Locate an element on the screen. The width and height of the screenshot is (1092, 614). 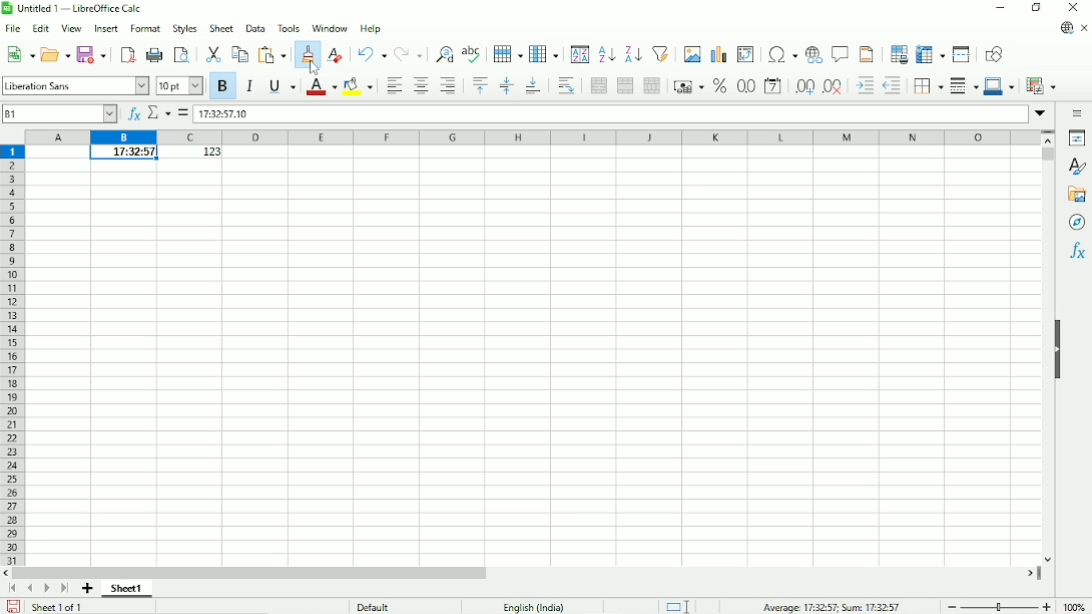
Update available is located at coordinates (1065, 29).